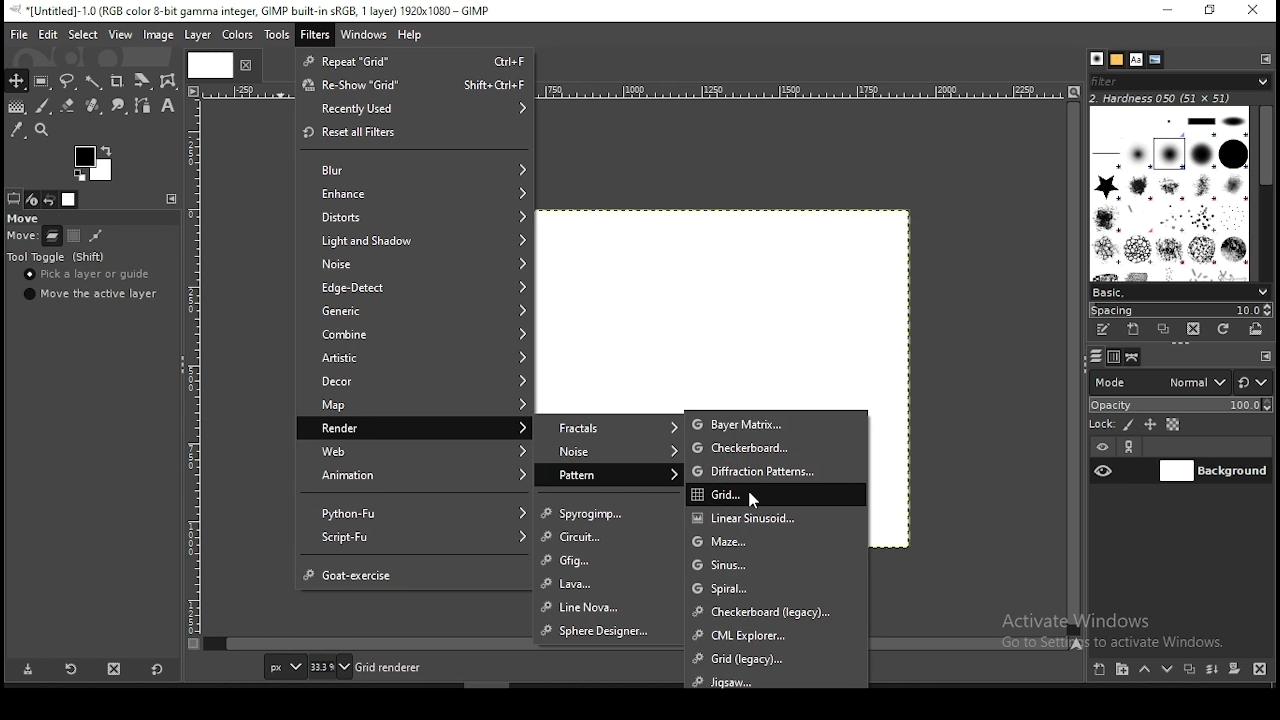  Describe the element at coordinates (1162, 99) in the screenshot. I see `hardness 050` at that location.